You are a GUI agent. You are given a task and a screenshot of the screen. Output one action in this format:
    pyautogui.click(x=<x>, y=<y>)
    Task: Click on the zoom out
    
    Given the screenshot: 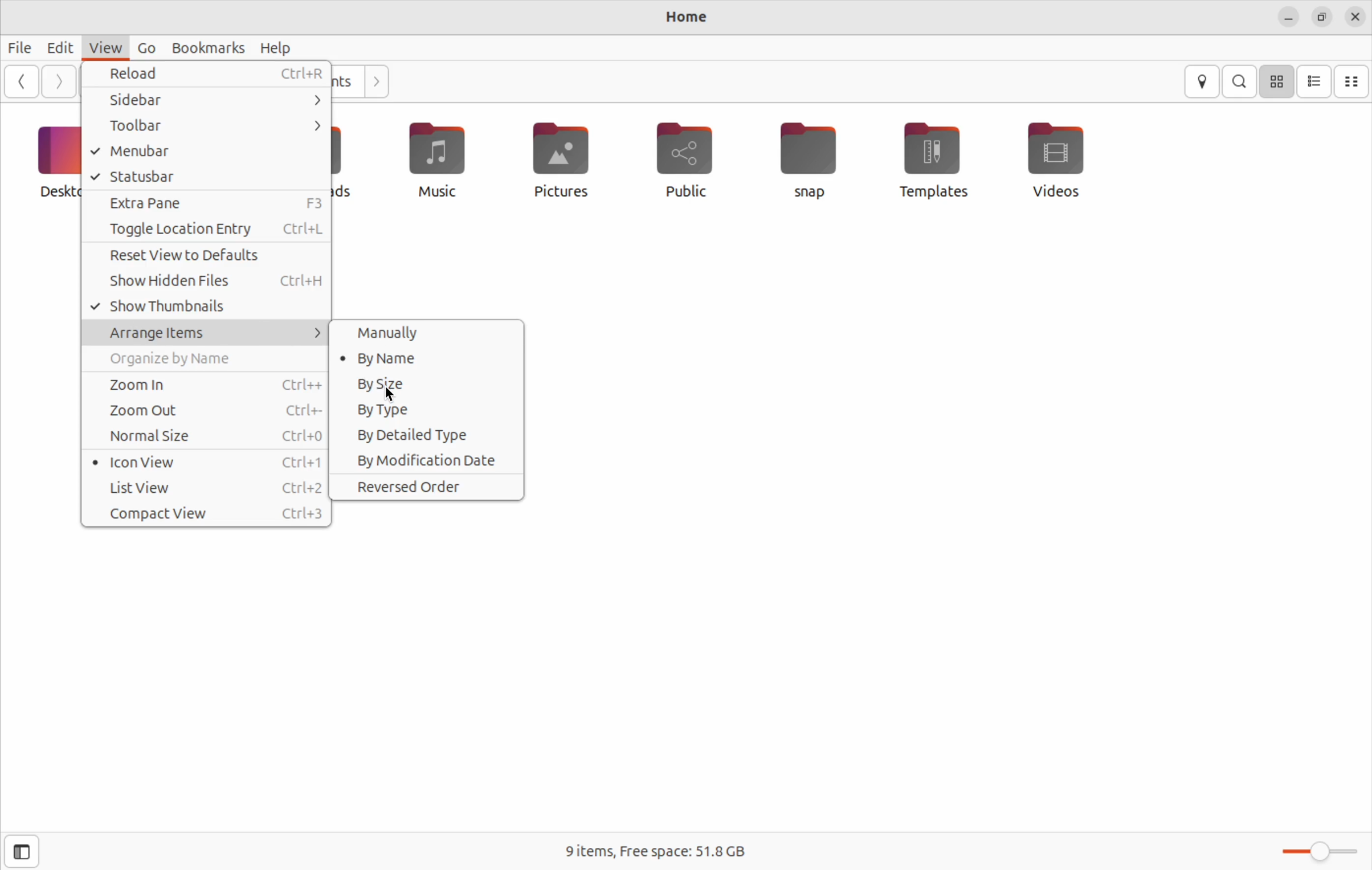 What is the action you would take?
    pyautogui.click(x=206, y=412)
    